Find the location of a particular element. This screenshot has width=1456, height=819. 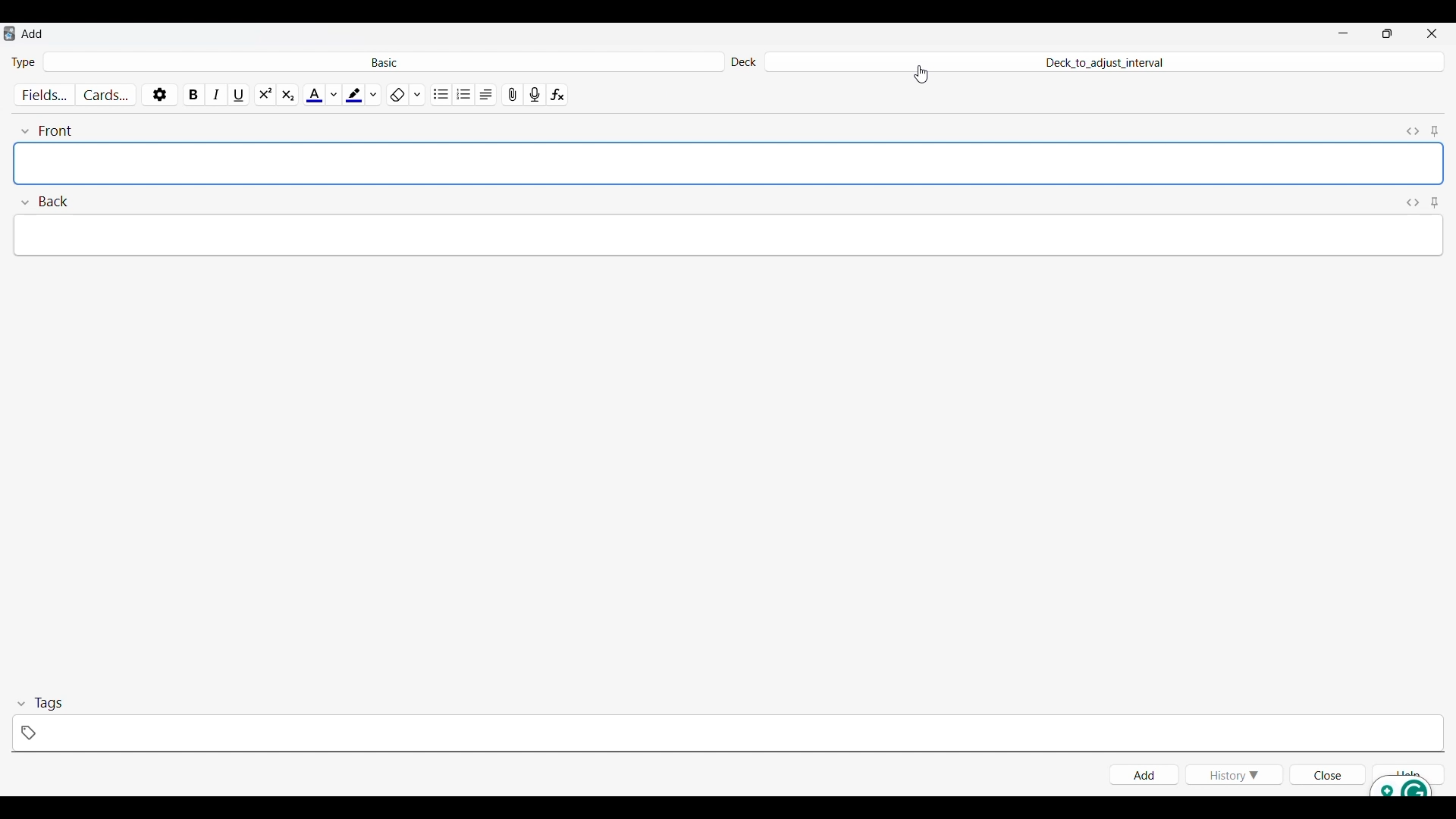

Type in text is located at coordinates (729, 164).